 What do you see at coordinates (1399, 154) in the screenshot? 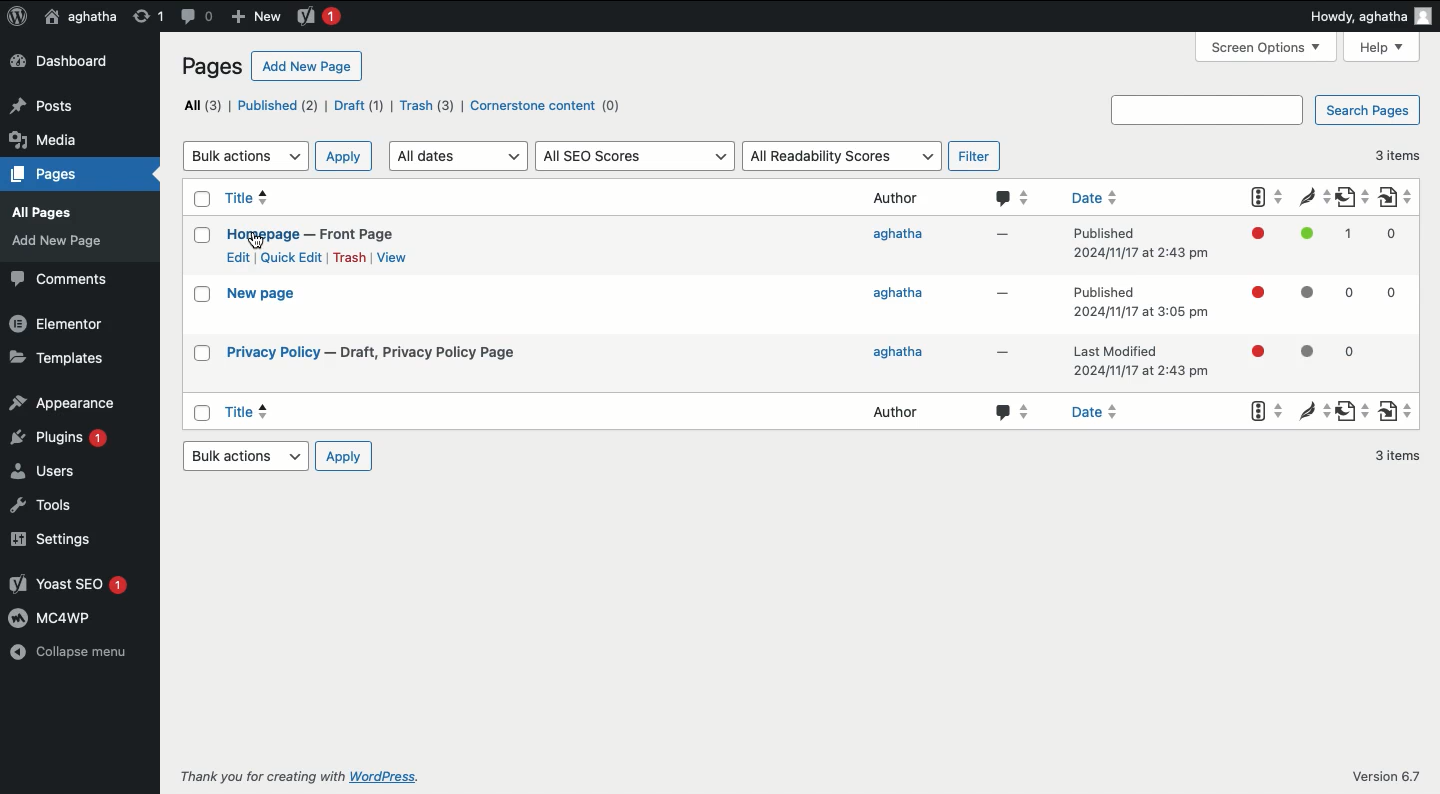
I see `3 items` at bounding box center [1399, 154].